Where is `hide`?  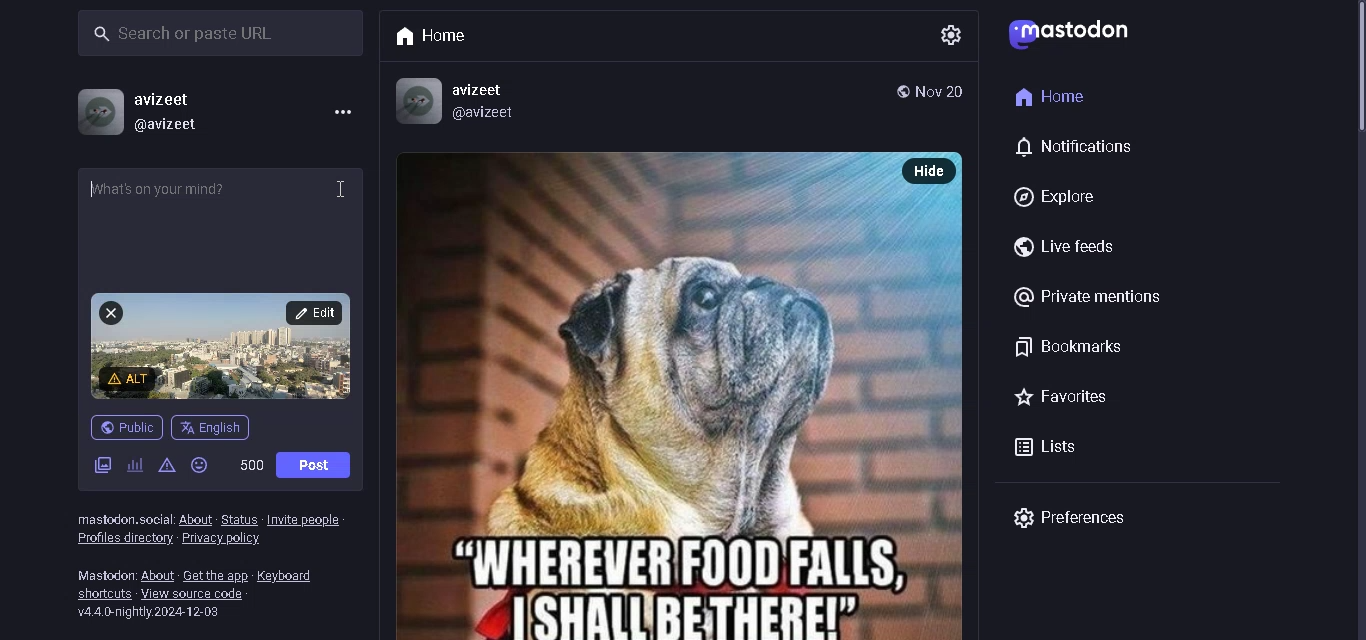
hide is located at coordinates (928, 171).